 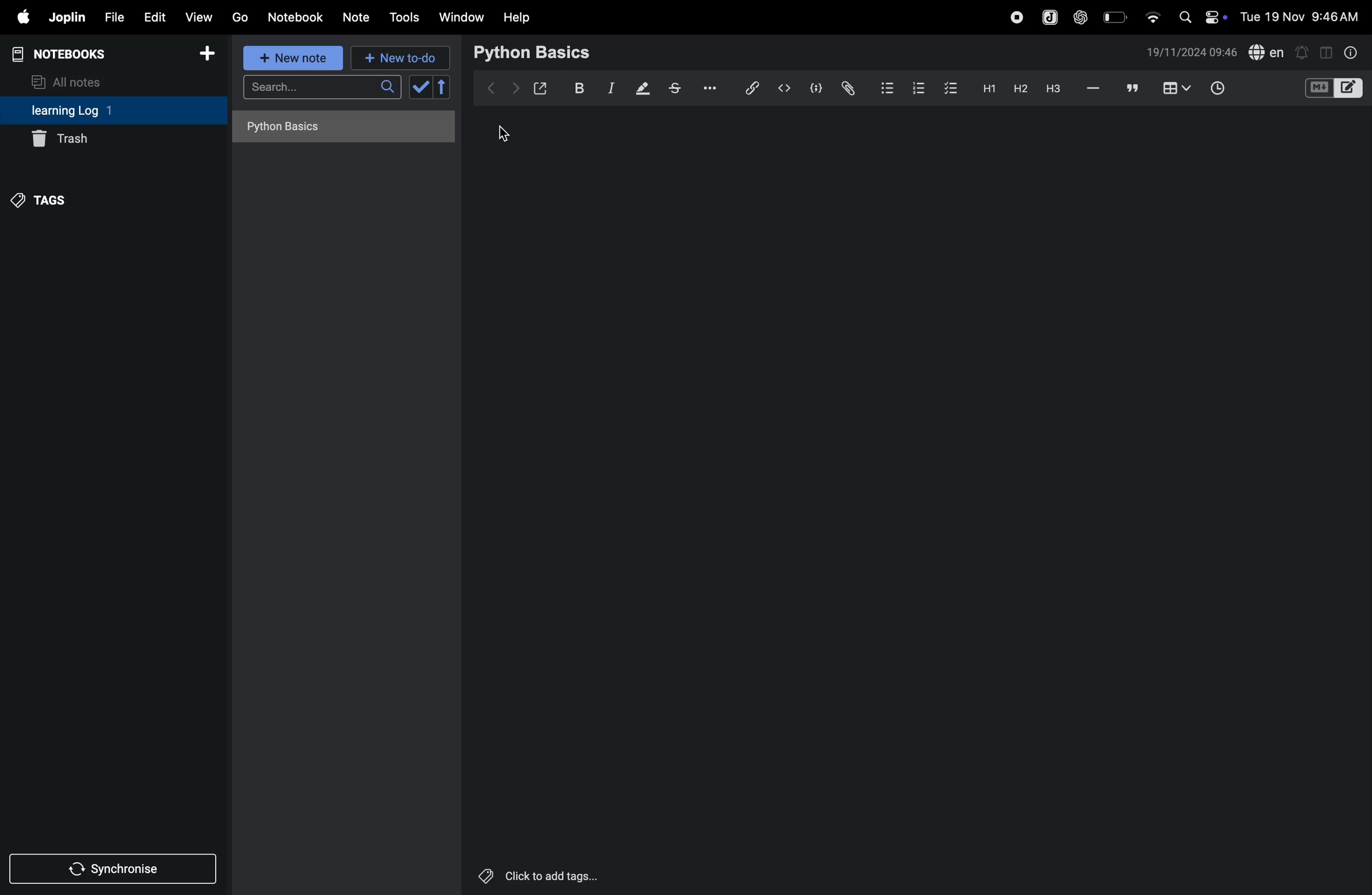 What do you see at coordinates (208, 57) in the screenshot?
I see `add` at bounding box center [208, 57].